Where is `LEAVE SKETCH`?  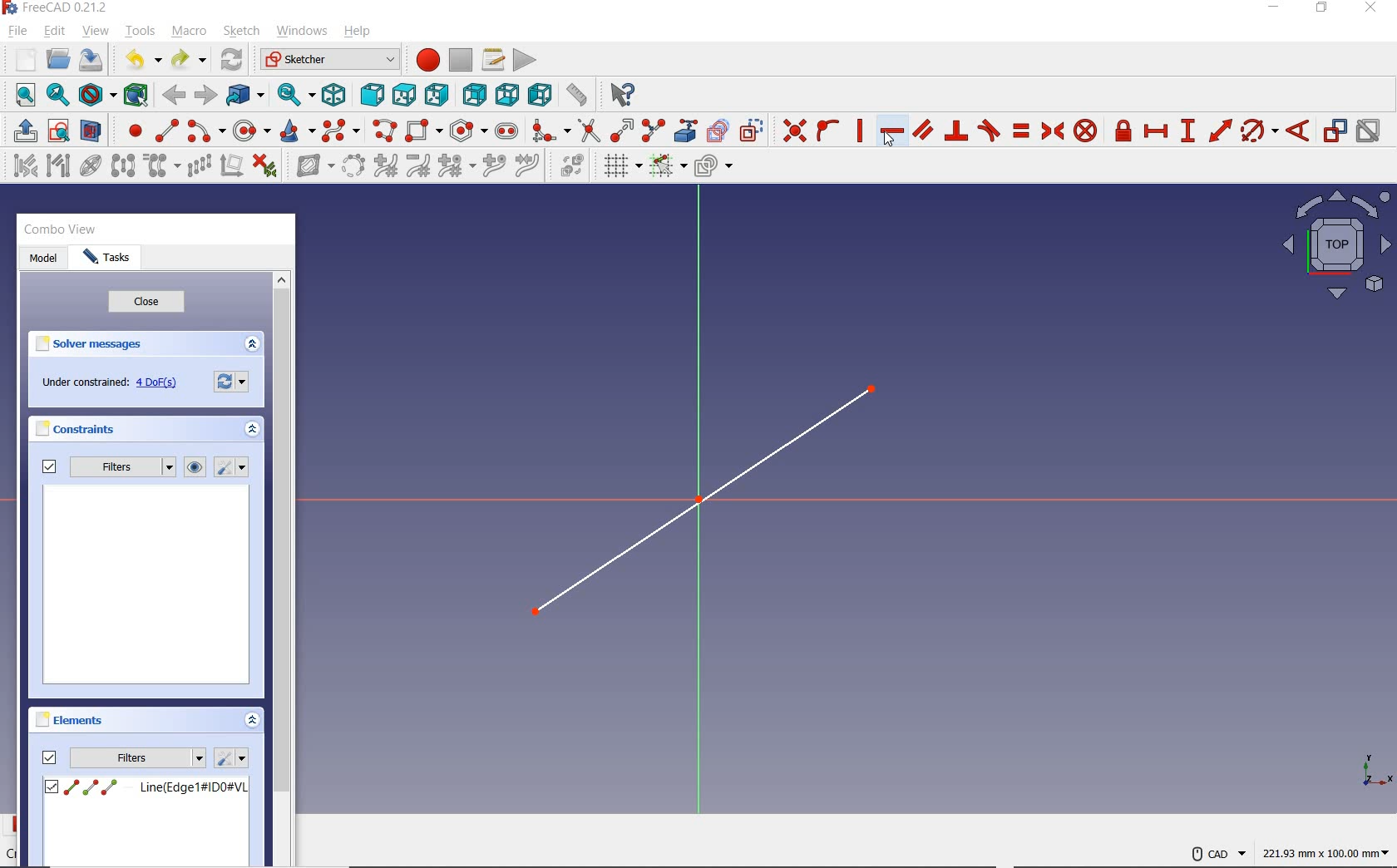 LEAVE SKETCH is located at coordinates (23, 130).